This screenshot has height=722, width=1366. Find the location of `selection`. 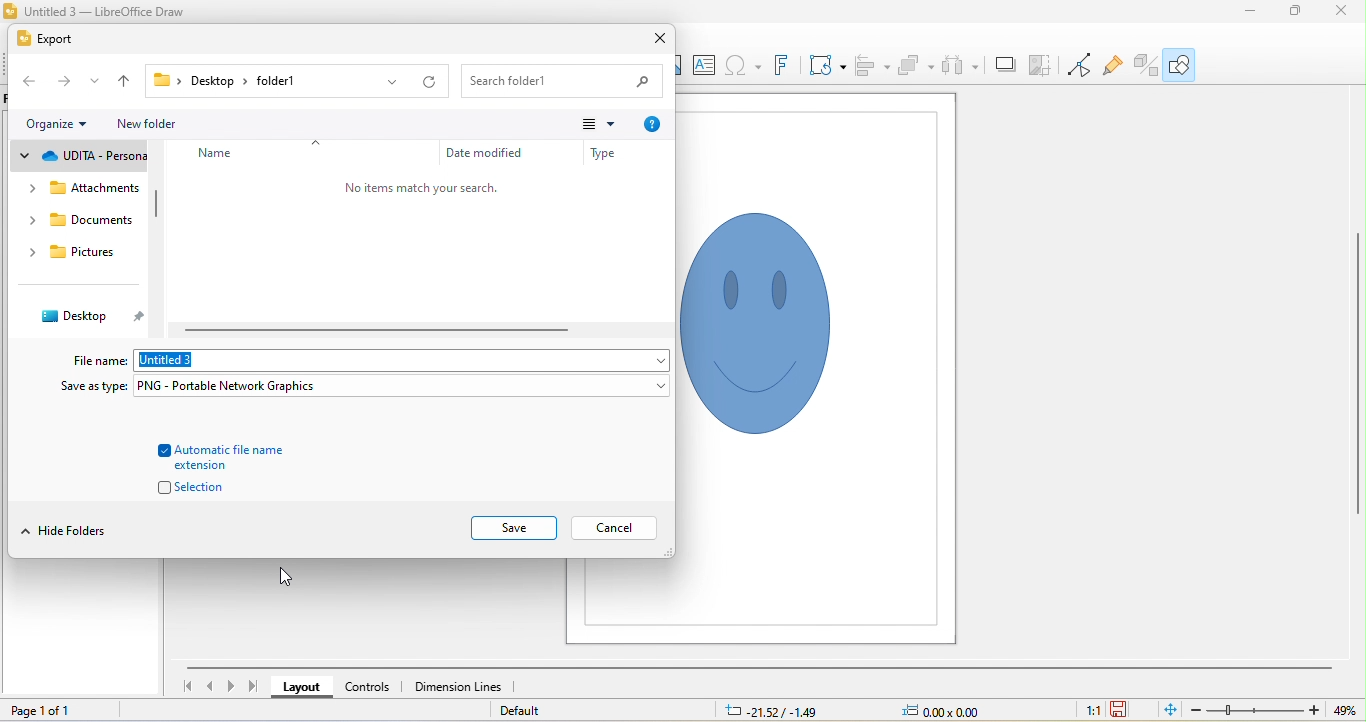

selection is located at coordinates (213, 490).